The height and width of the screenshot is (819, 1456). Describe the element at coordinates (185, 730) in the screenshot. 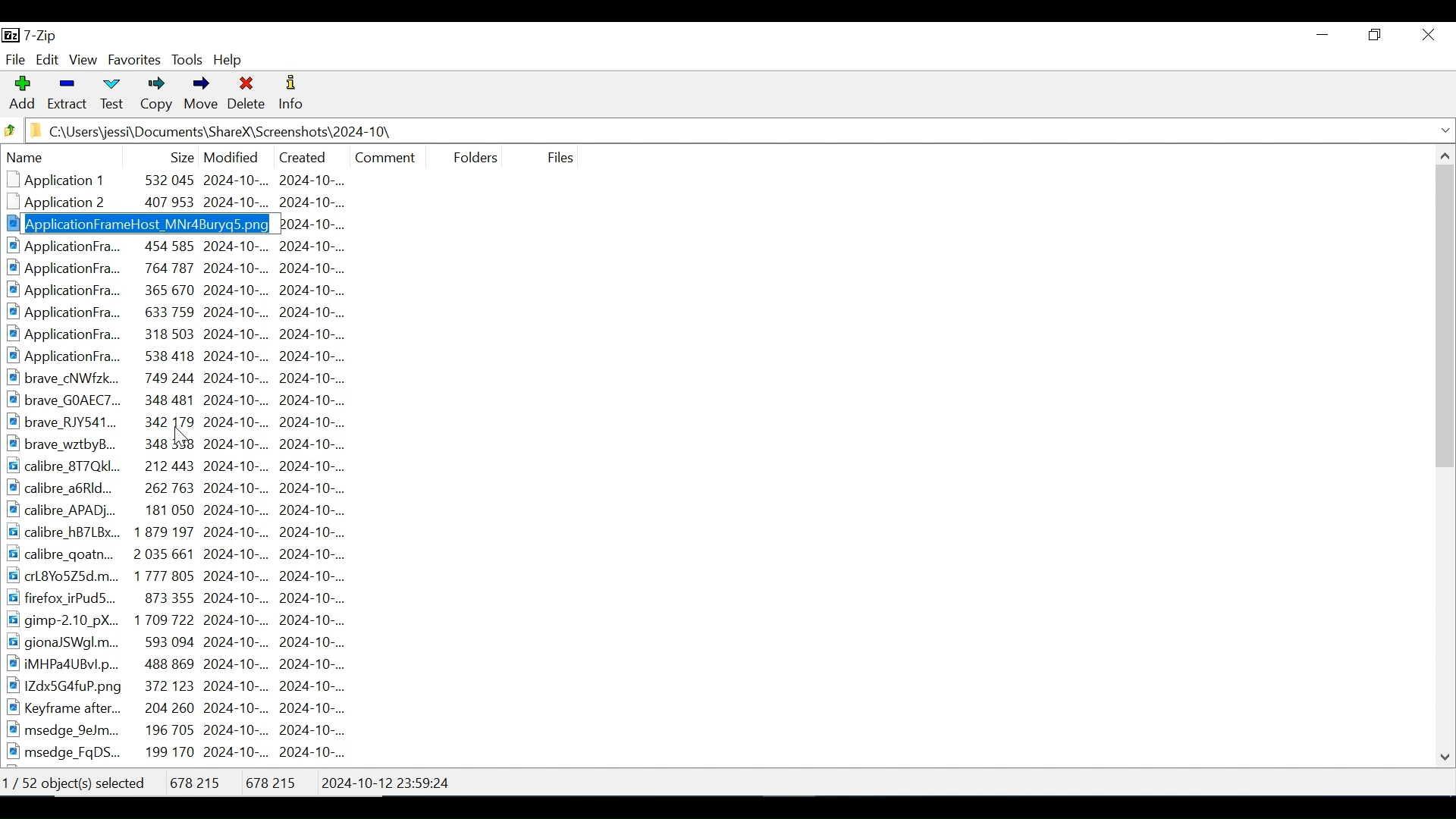

I see `msedge 9eJm... 196 705 2024-10-.. 2024-10-...` at that location.